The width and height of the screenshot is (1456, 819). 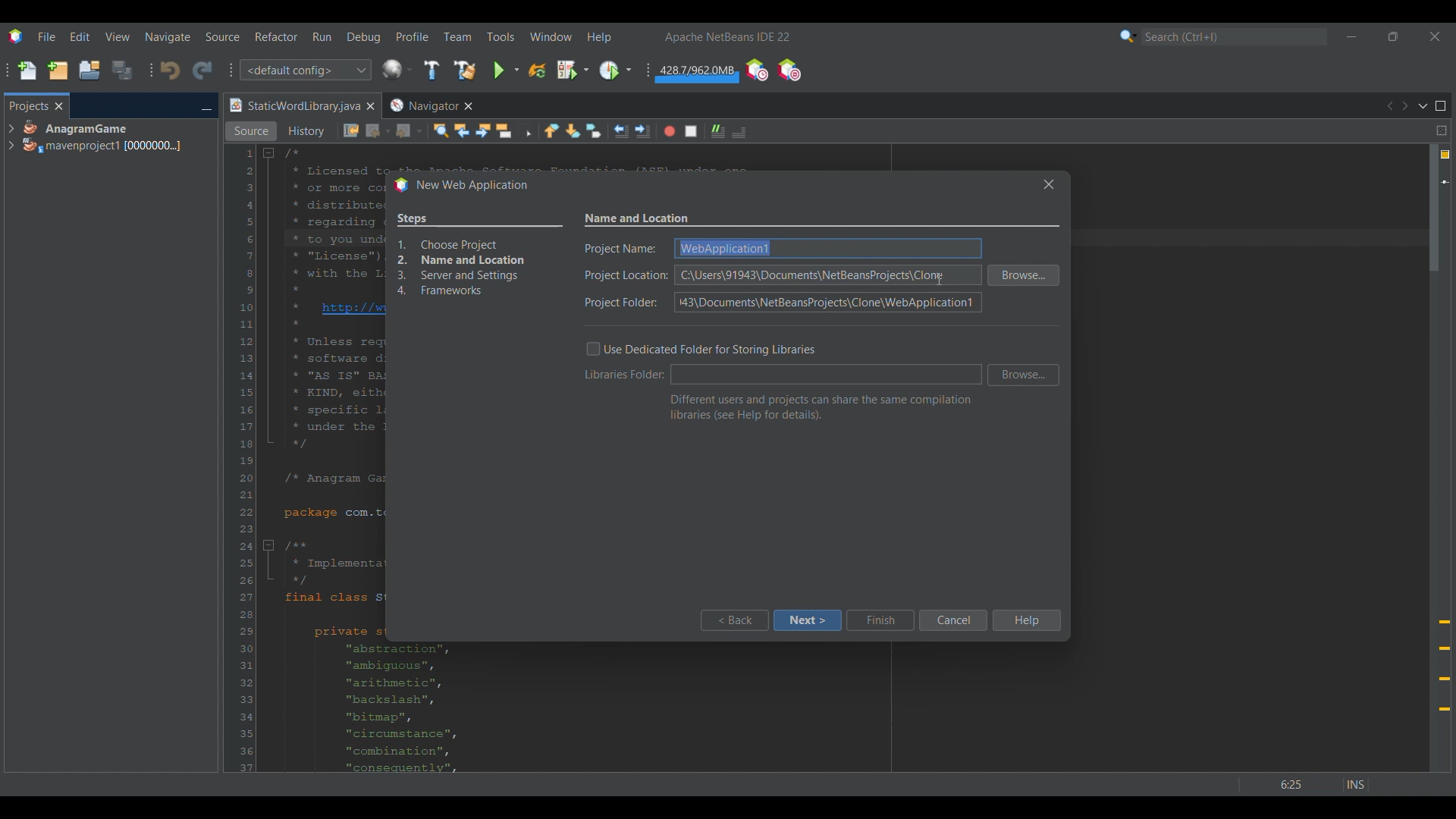 I want to click on Profile IDE, so click(x=756, y=71).